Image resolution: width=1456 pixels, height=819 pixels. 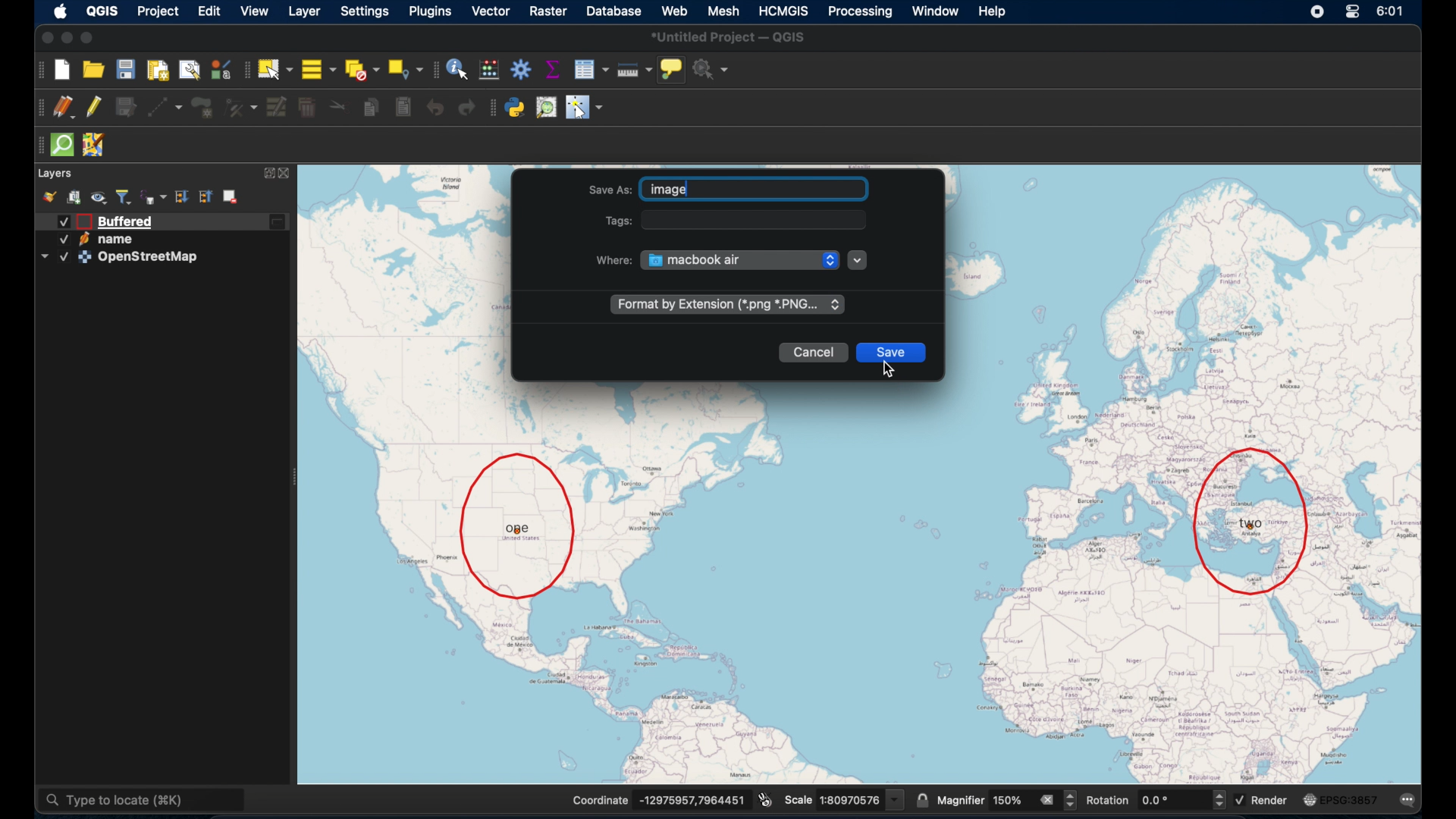 What do you see at coordinates (1254, 519) in the screenshot?
I see `location two` at bounding box center [1254, 519].